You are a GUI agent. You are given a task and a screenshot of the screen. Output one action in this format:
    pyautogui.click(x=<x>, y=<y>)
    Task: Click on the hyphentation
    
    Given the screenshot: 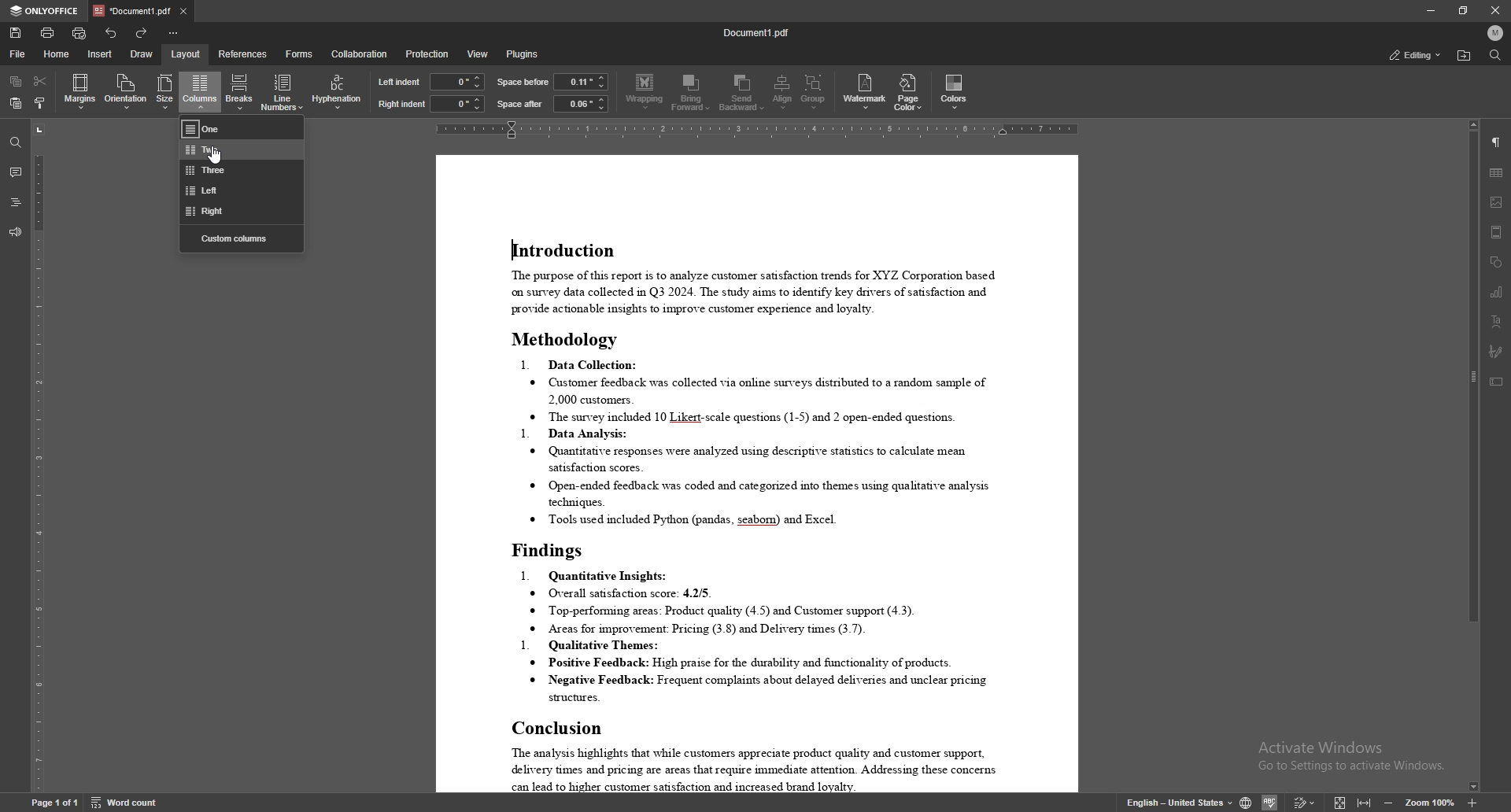 What is the action you would take?
    pyautogui.click(x=338, y=90)
    